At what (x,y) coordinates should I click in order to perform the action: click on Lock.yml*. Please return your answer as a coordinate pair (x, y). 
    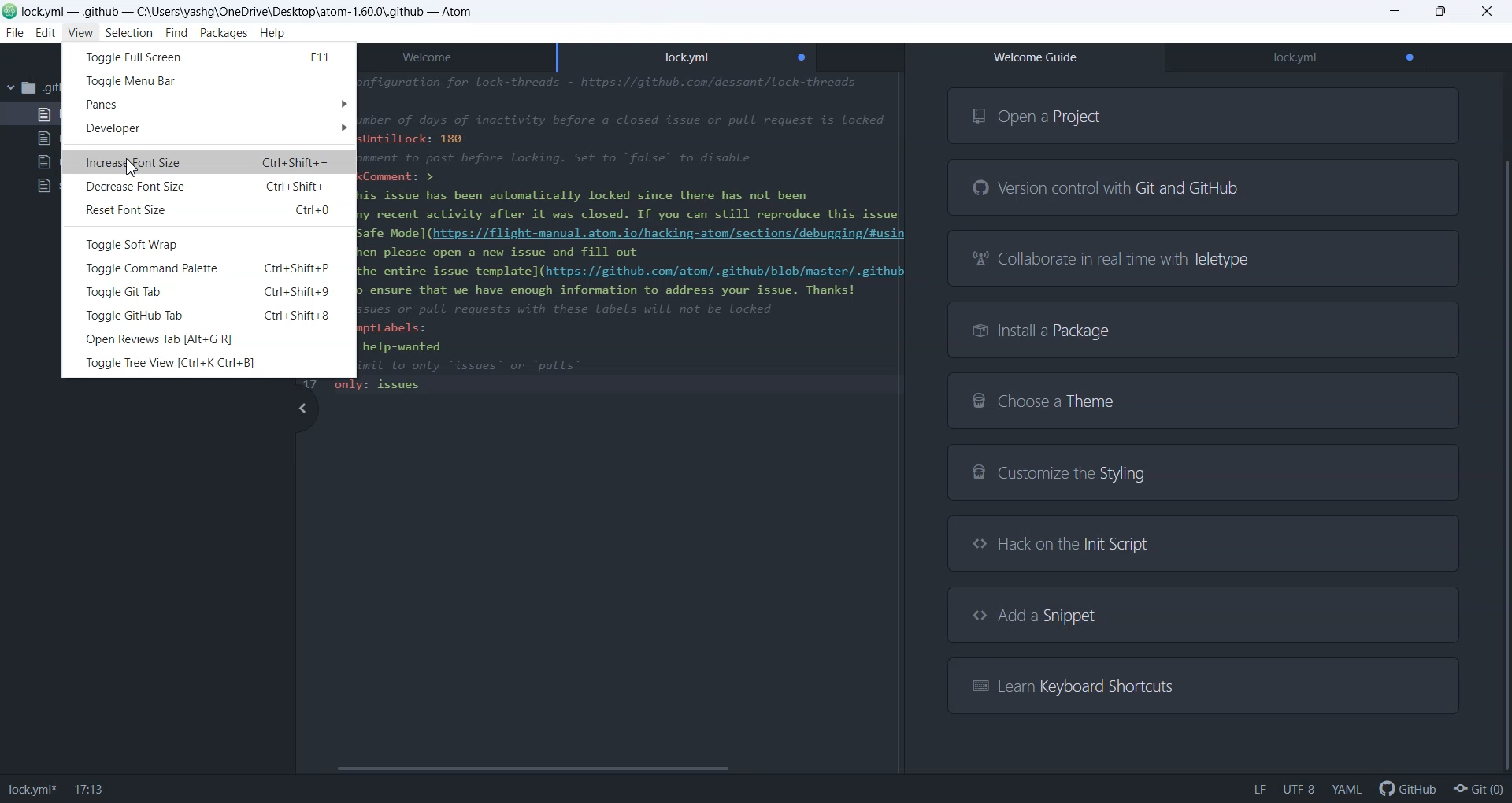
    Looking at the image, I should click on (31, 790).